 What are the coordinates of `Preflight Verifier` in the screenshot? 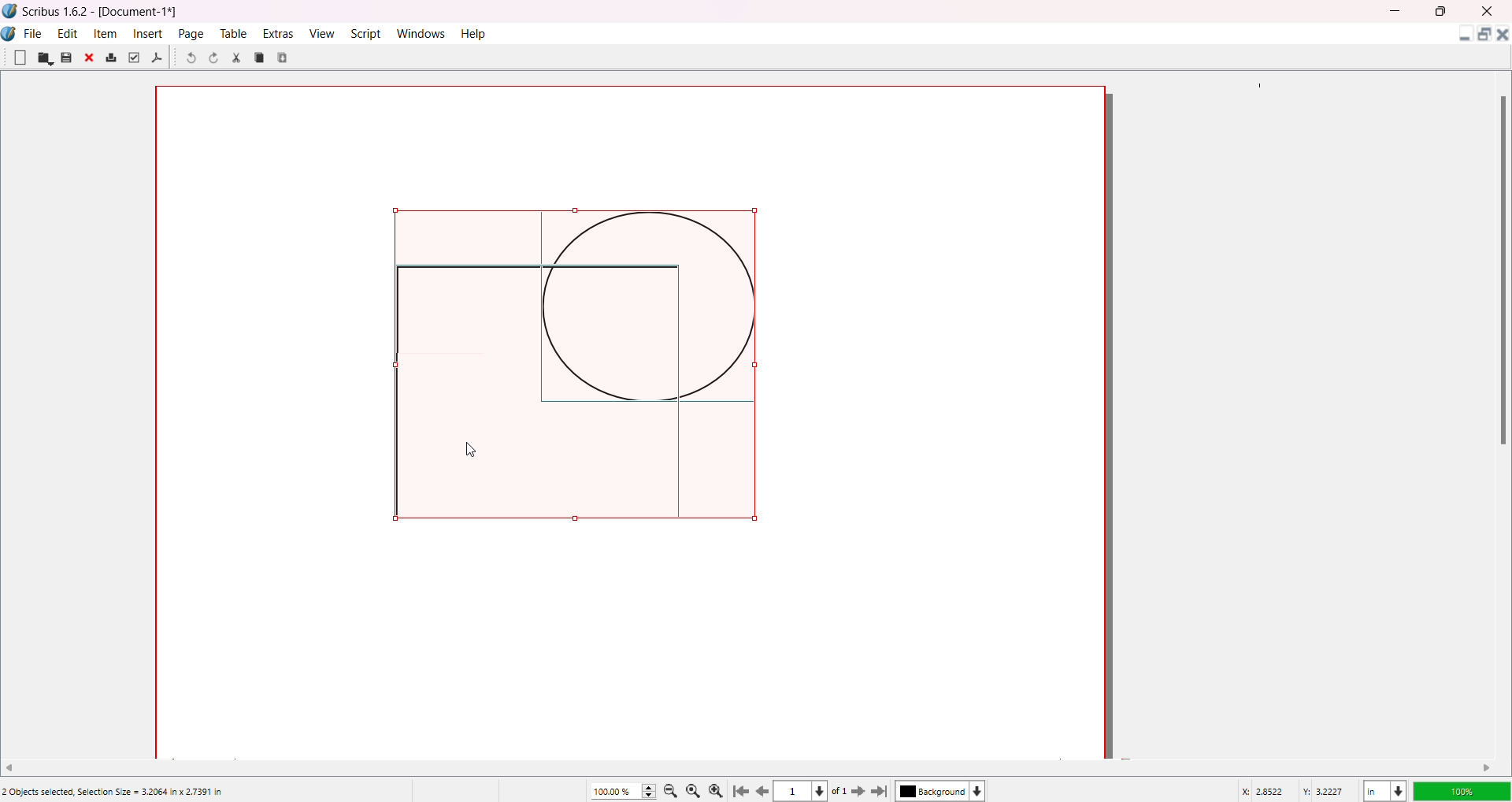 It's located at (133, 58).